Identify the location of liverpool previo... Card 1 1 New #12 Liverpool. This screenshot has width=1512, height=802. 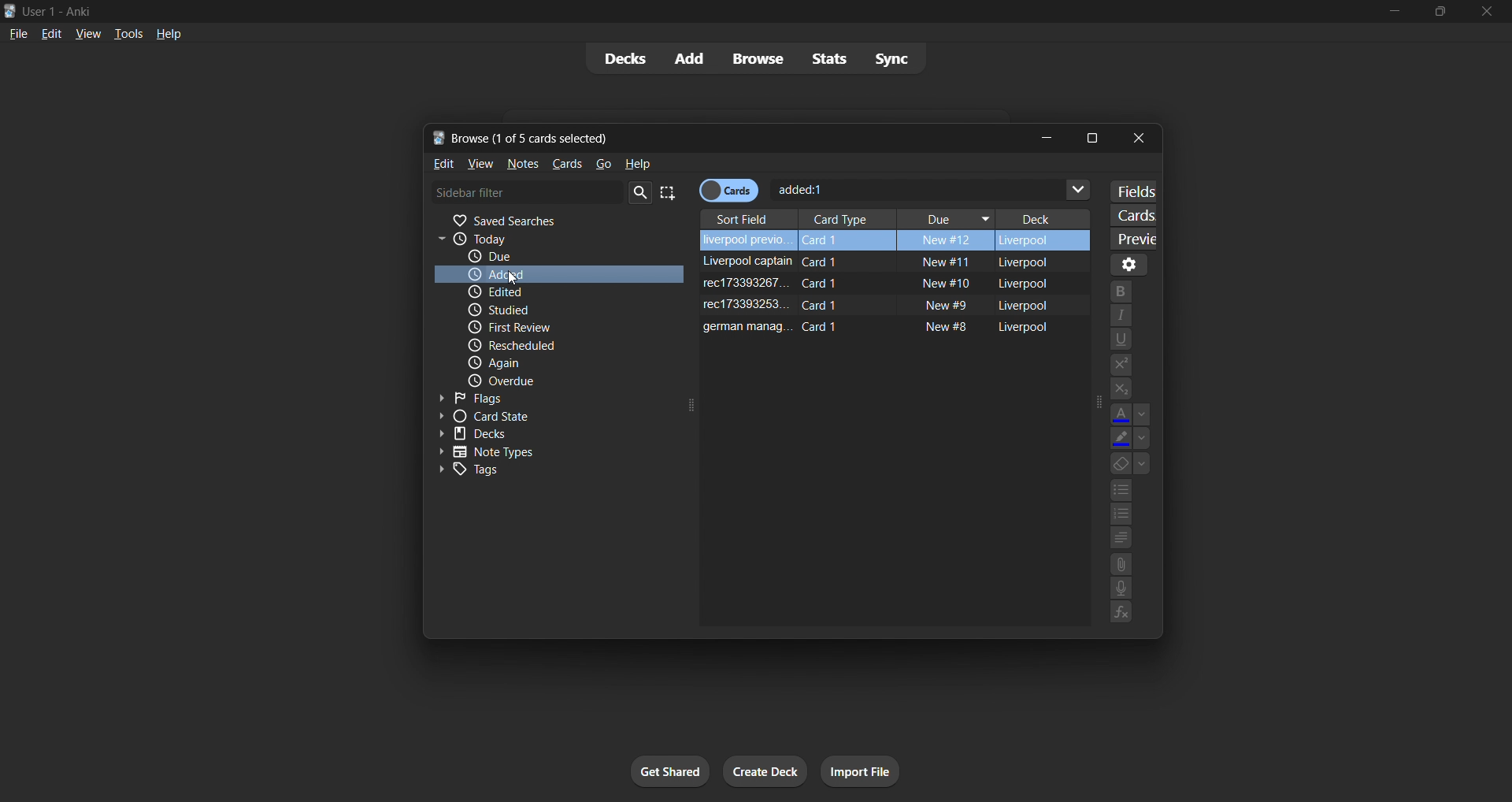
(894, 239).